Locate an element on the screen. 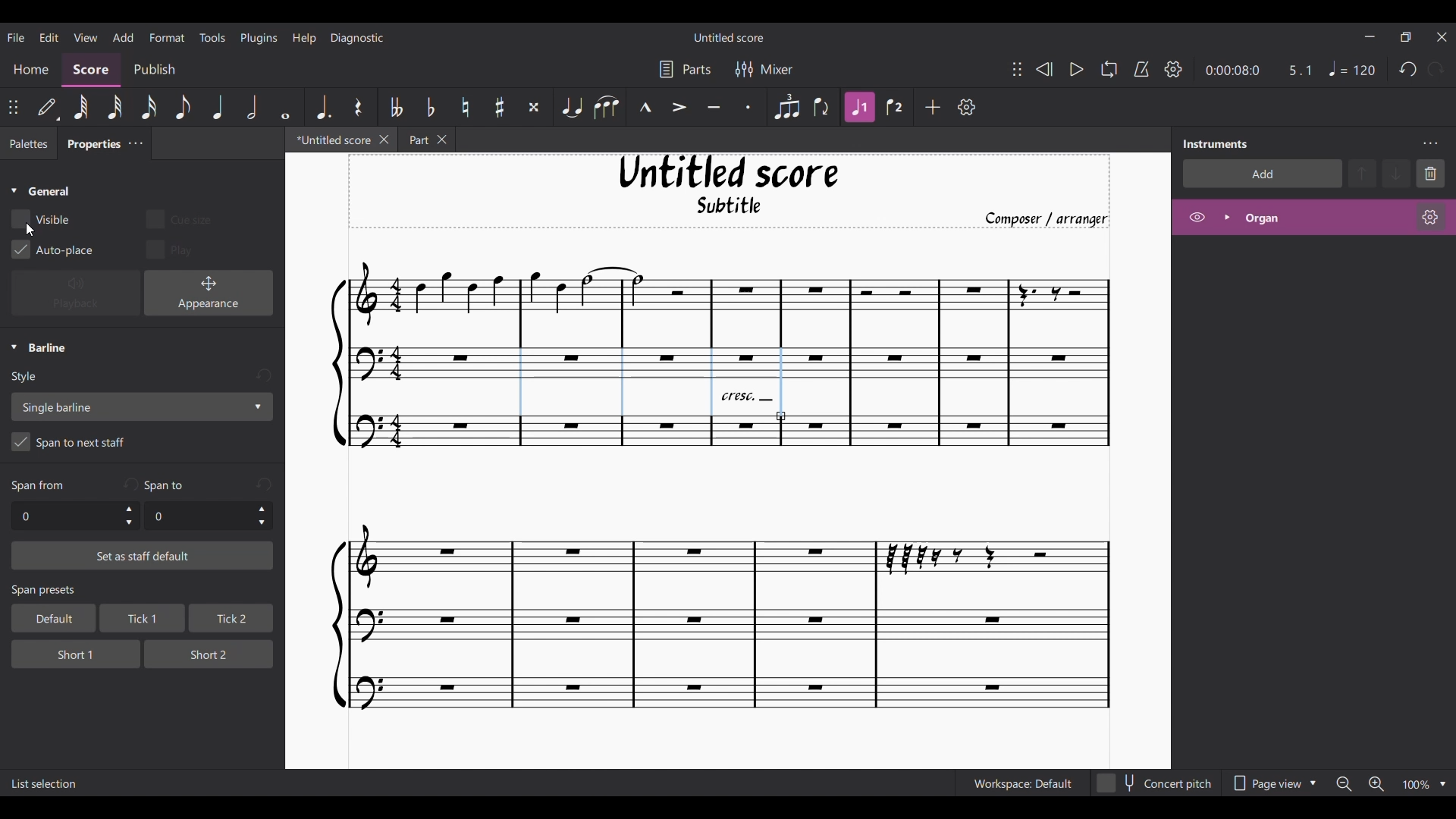  Hide Organ is located at coordinates (1197, 217).